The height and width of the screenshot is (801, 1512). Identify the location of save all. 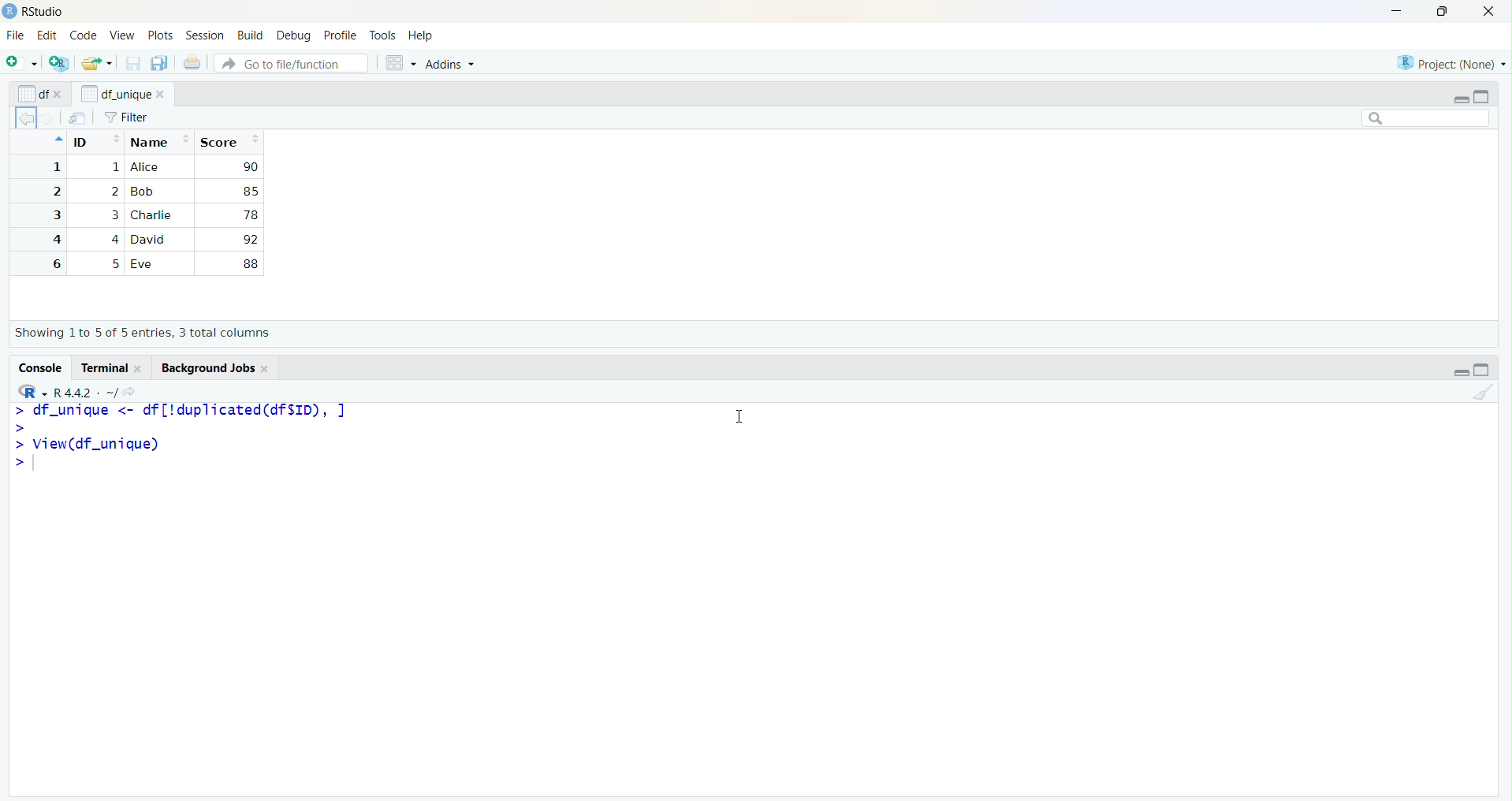
(161, 64).